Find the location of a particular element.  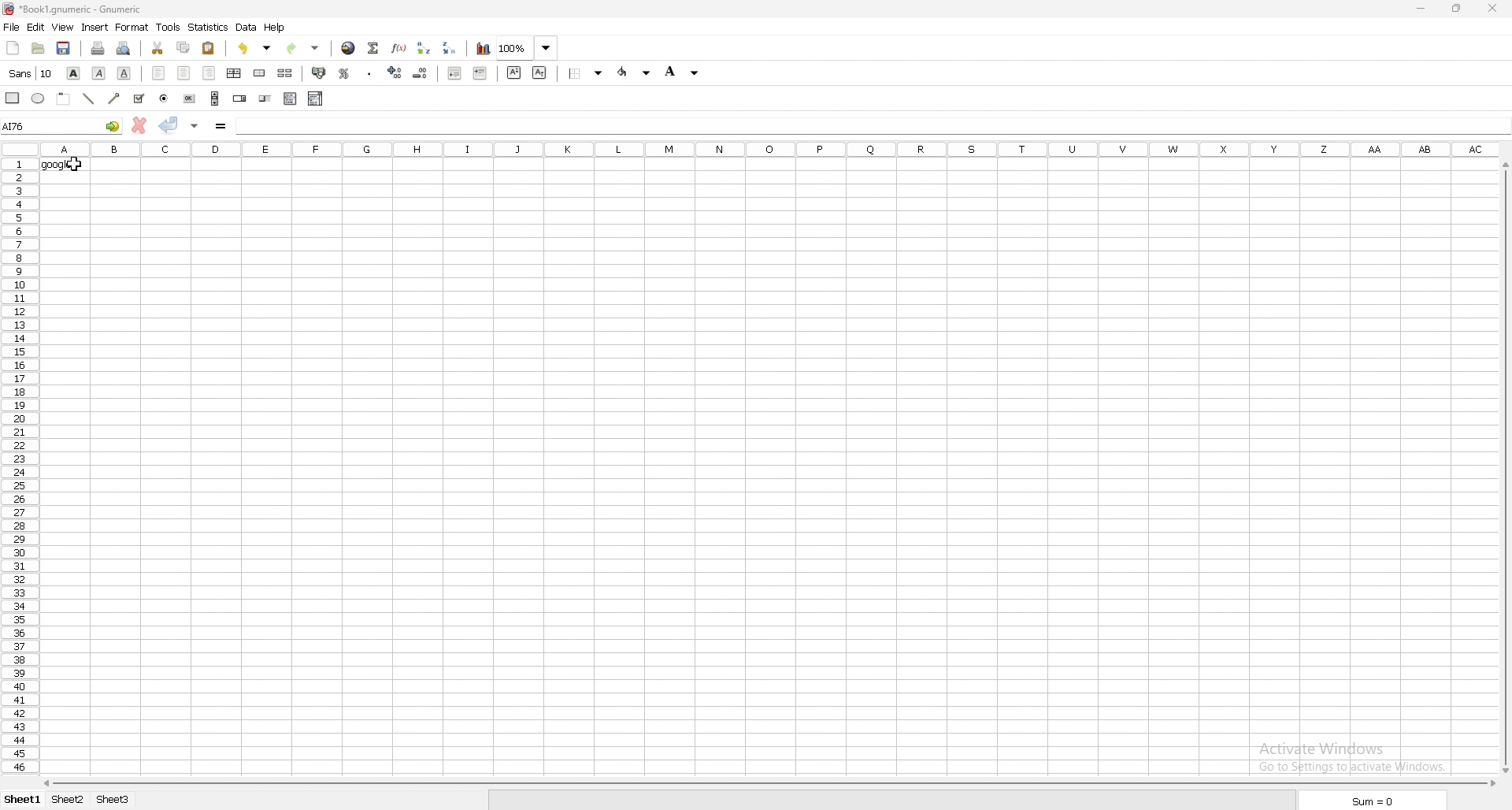

undo is located at coordinates (256, 48).